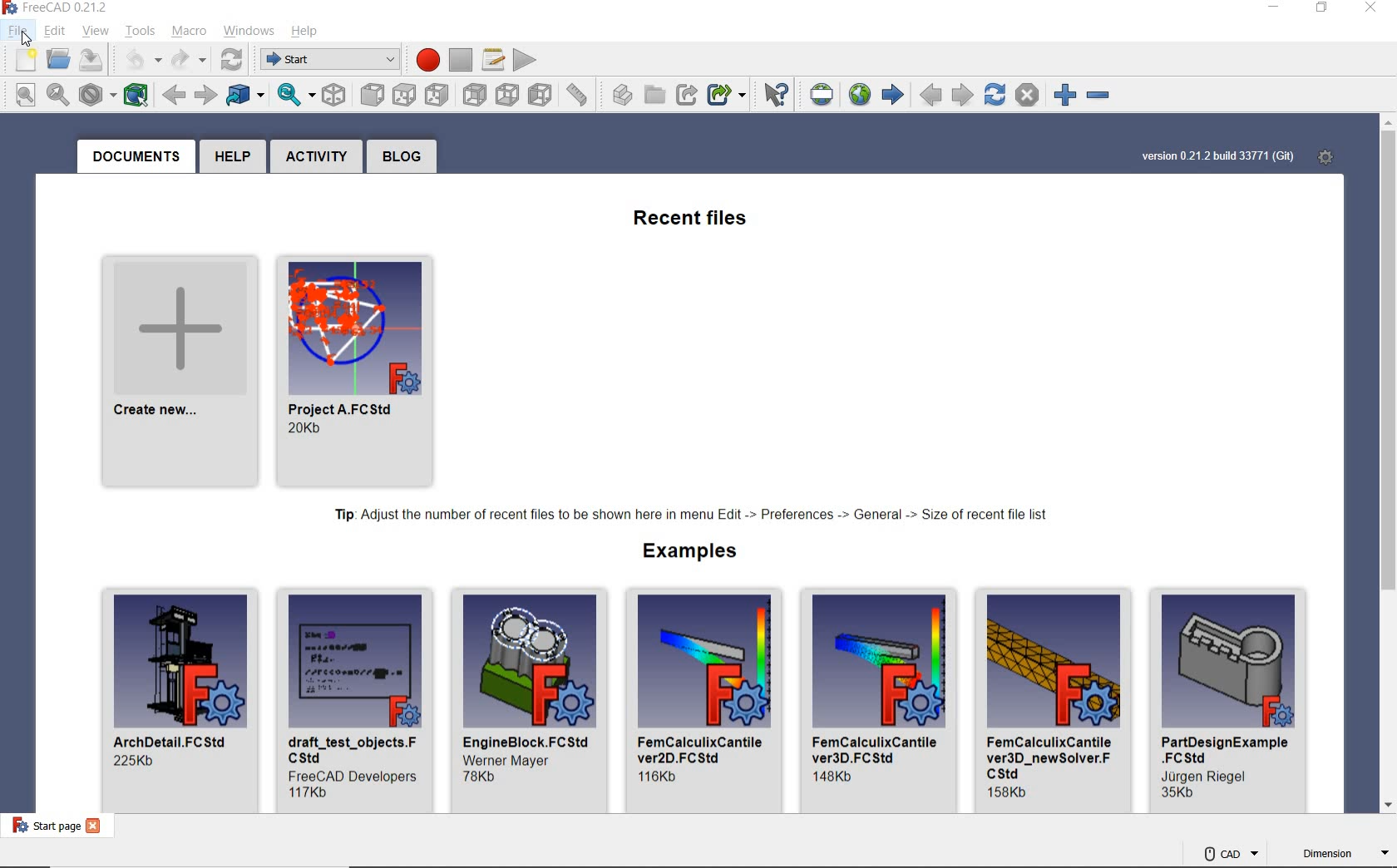 Image resolution: width=1397 pixels, height=868 pixels. Describe the element at coordinates (1370, 9) in the screenshot. I see `CLOSE` at that location.